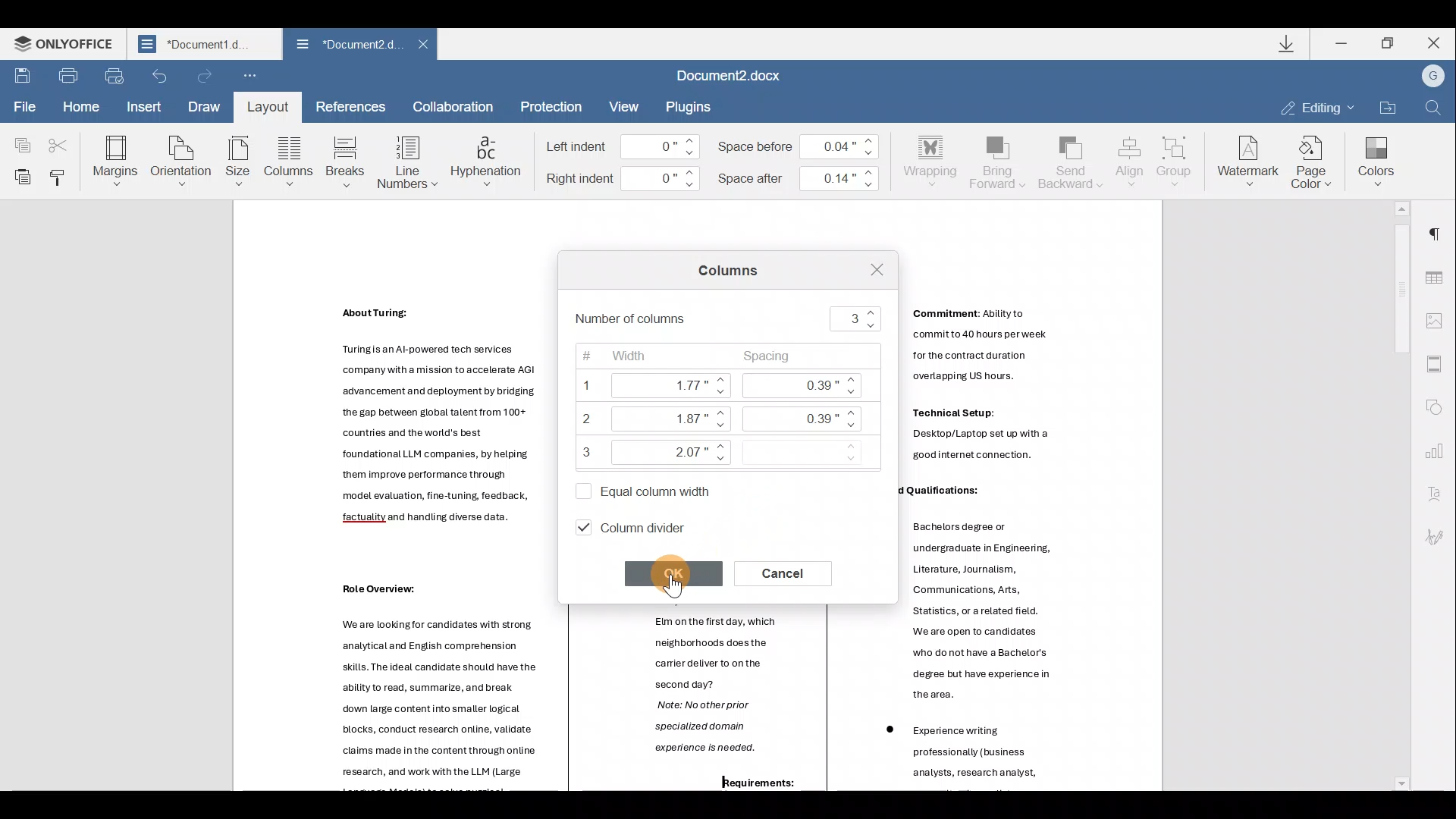 The height and width of the screenshot is (819, 1456). Describe the element at coordinates (406, 161) in the screenshot. I see `Line numbers` at that location.